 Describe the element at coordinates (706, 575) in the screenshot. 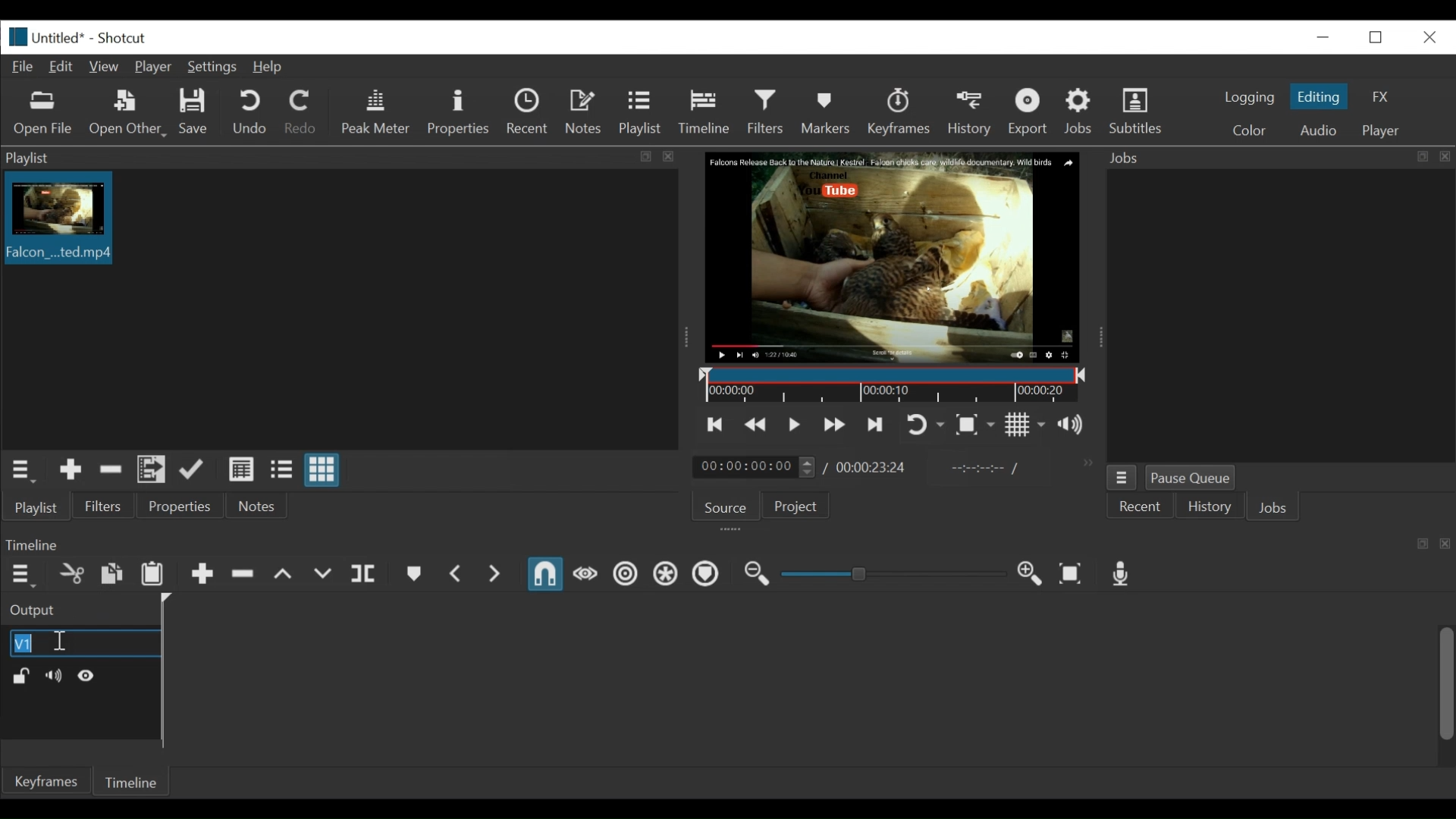

I see `Ripple Markers` at that location.